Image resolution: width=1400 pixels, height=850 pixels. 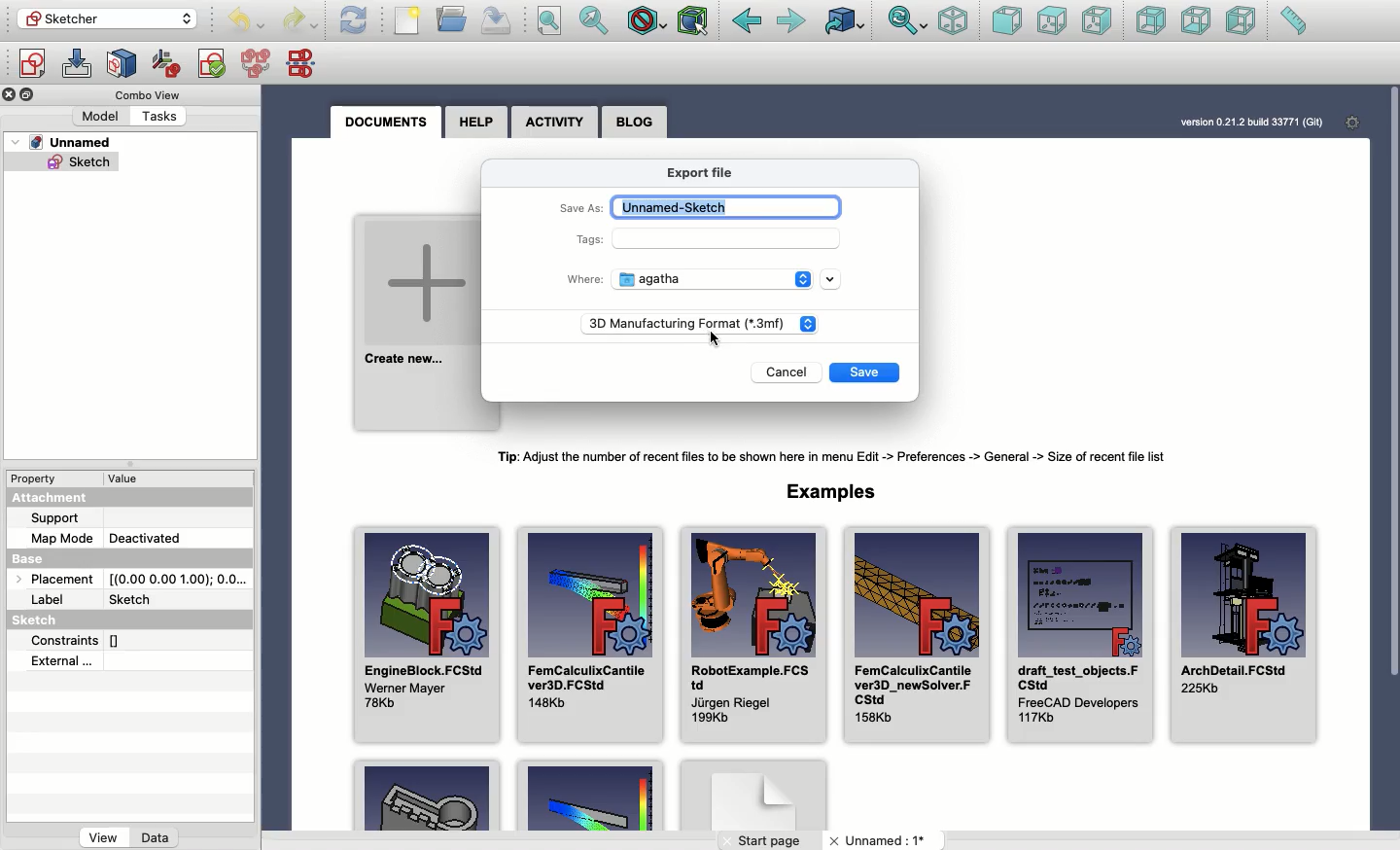 What do you see at coordinates (1246, 635) in the screenshot?
I see `ArchDetail.FCStd 225Kb` at bounding box center [1246, 635].